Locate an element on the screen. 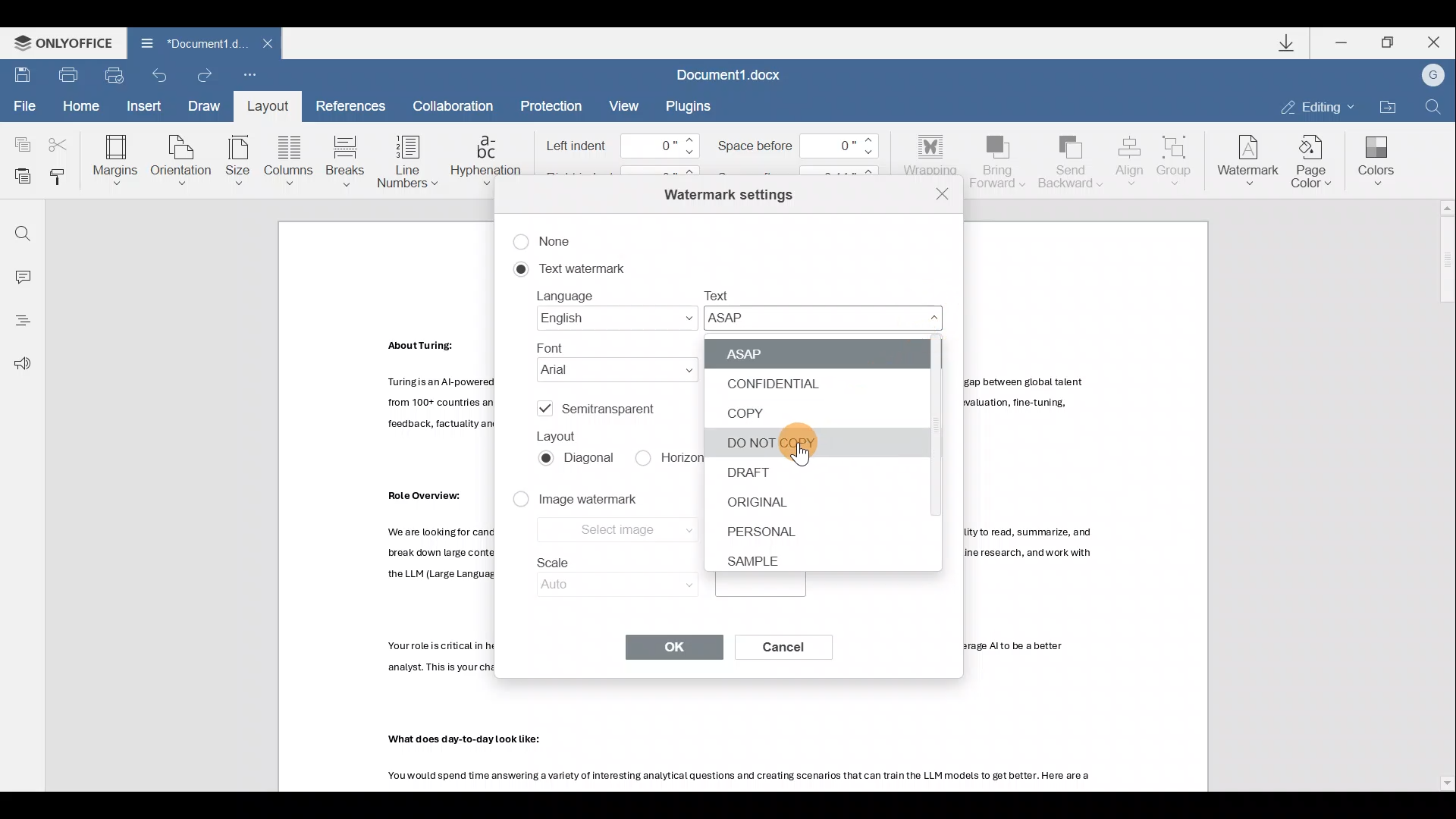  Editing mode is located at coordinates (1314, 105).